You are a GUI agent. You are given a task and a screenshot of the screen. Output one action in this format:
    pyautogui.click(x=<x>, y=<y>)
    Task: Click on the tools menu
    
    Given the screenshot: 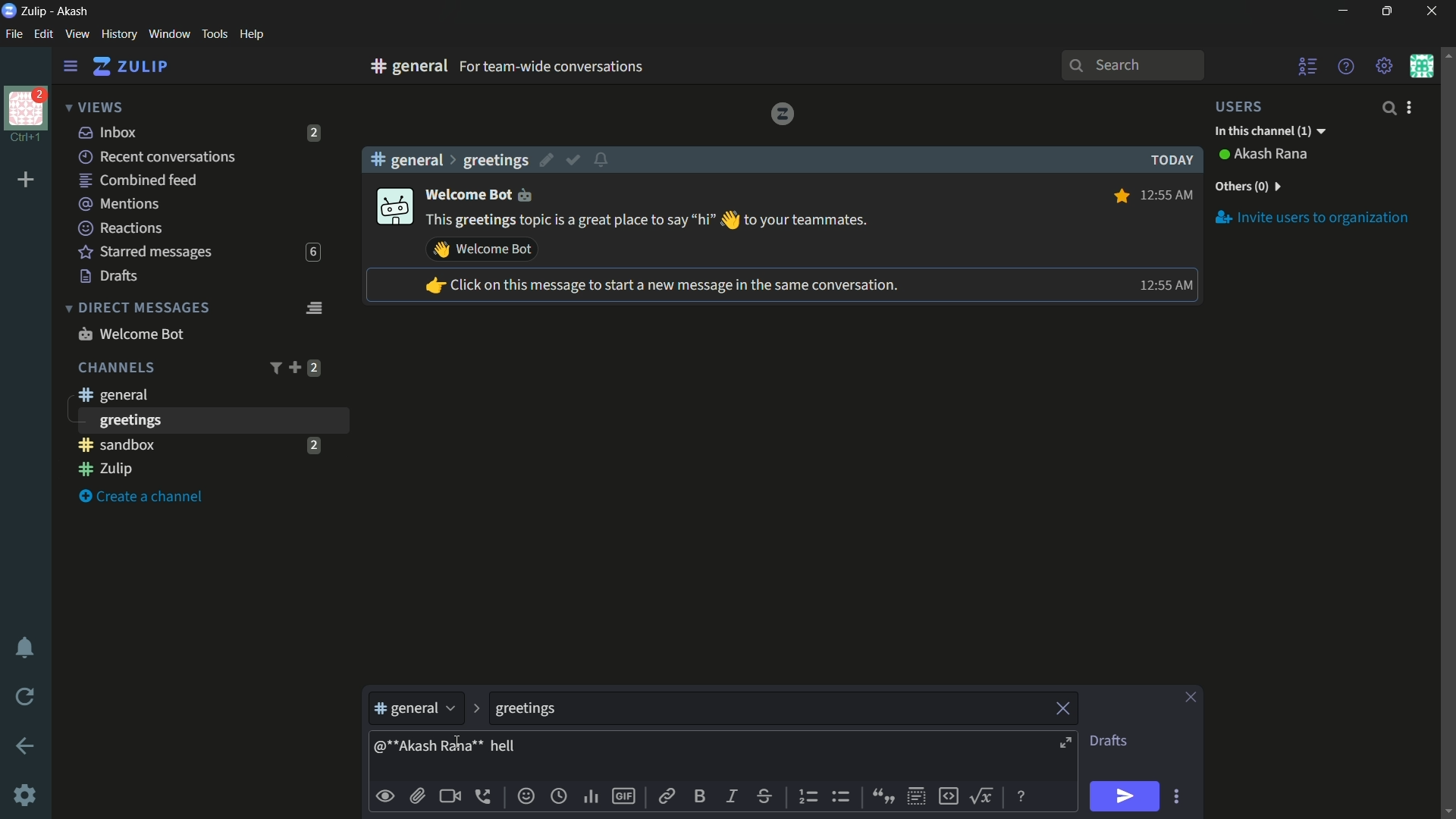 What is the action you would take?
    pyautogui.click(x=214, y=34)
    